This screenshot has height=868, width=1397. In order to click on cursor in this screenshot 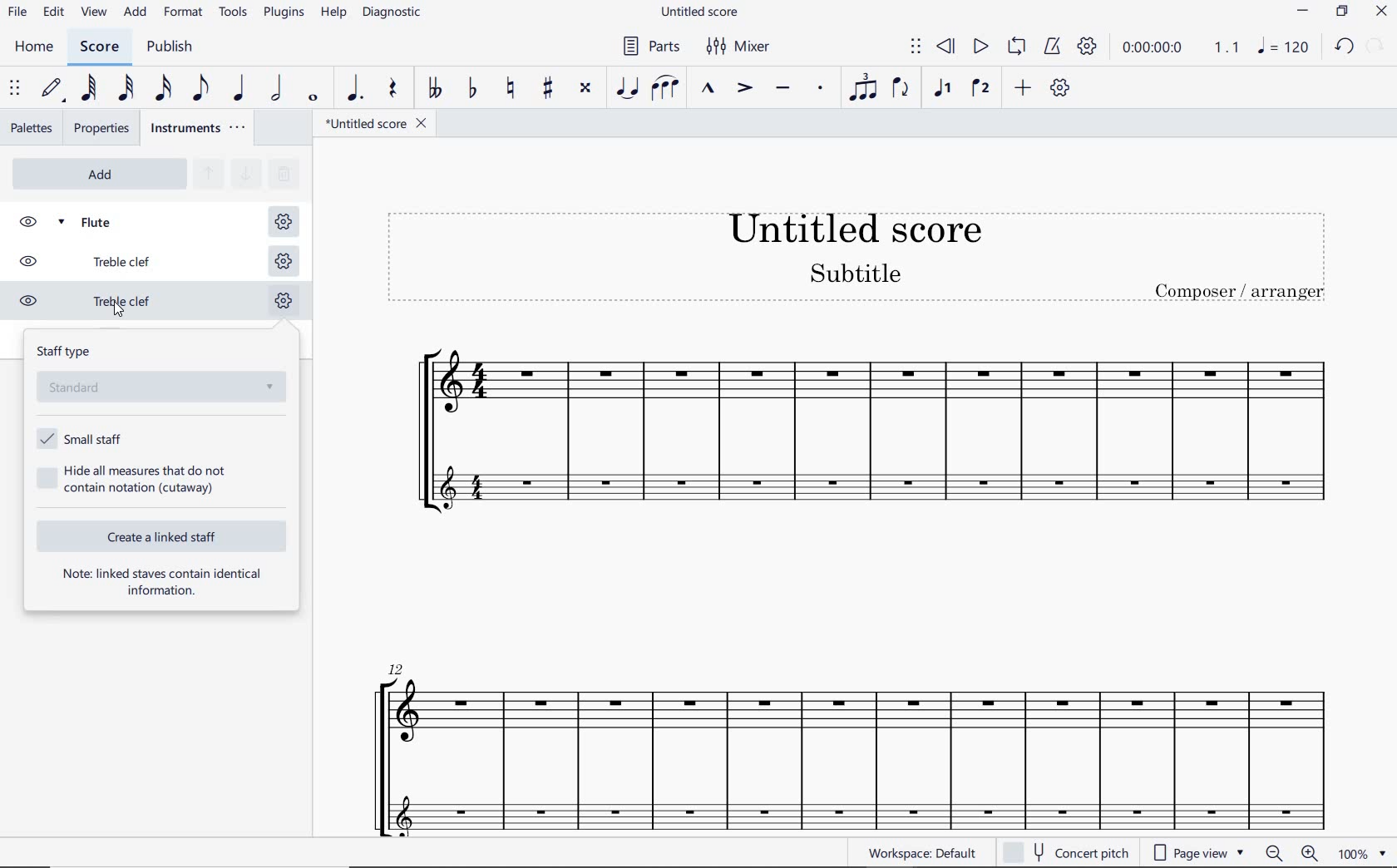, I will do `click(115, 308)`.